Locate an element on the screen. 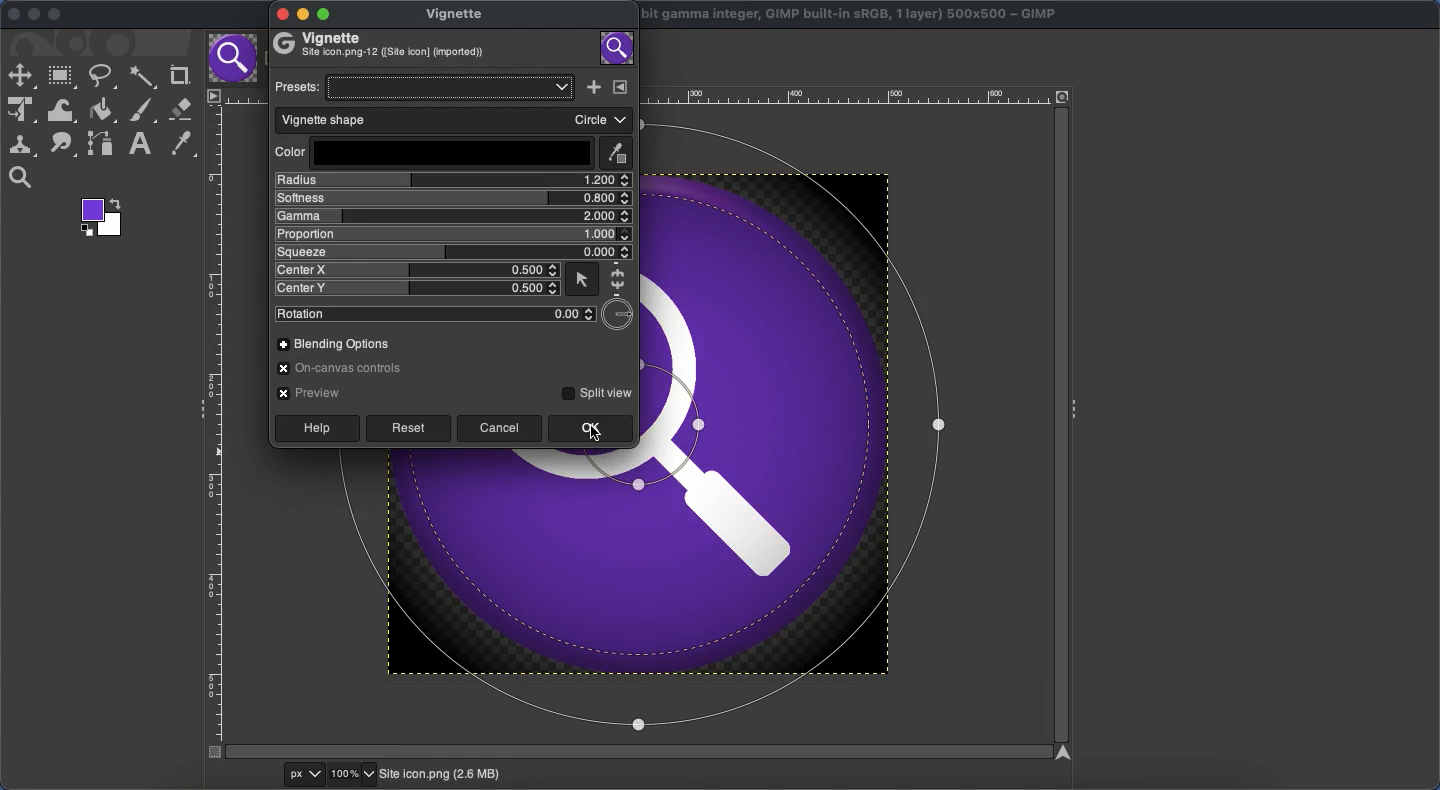 Image resolution: width=1440 pixels, height=790 pixels. Minimize is located at coordinates (301, 15).